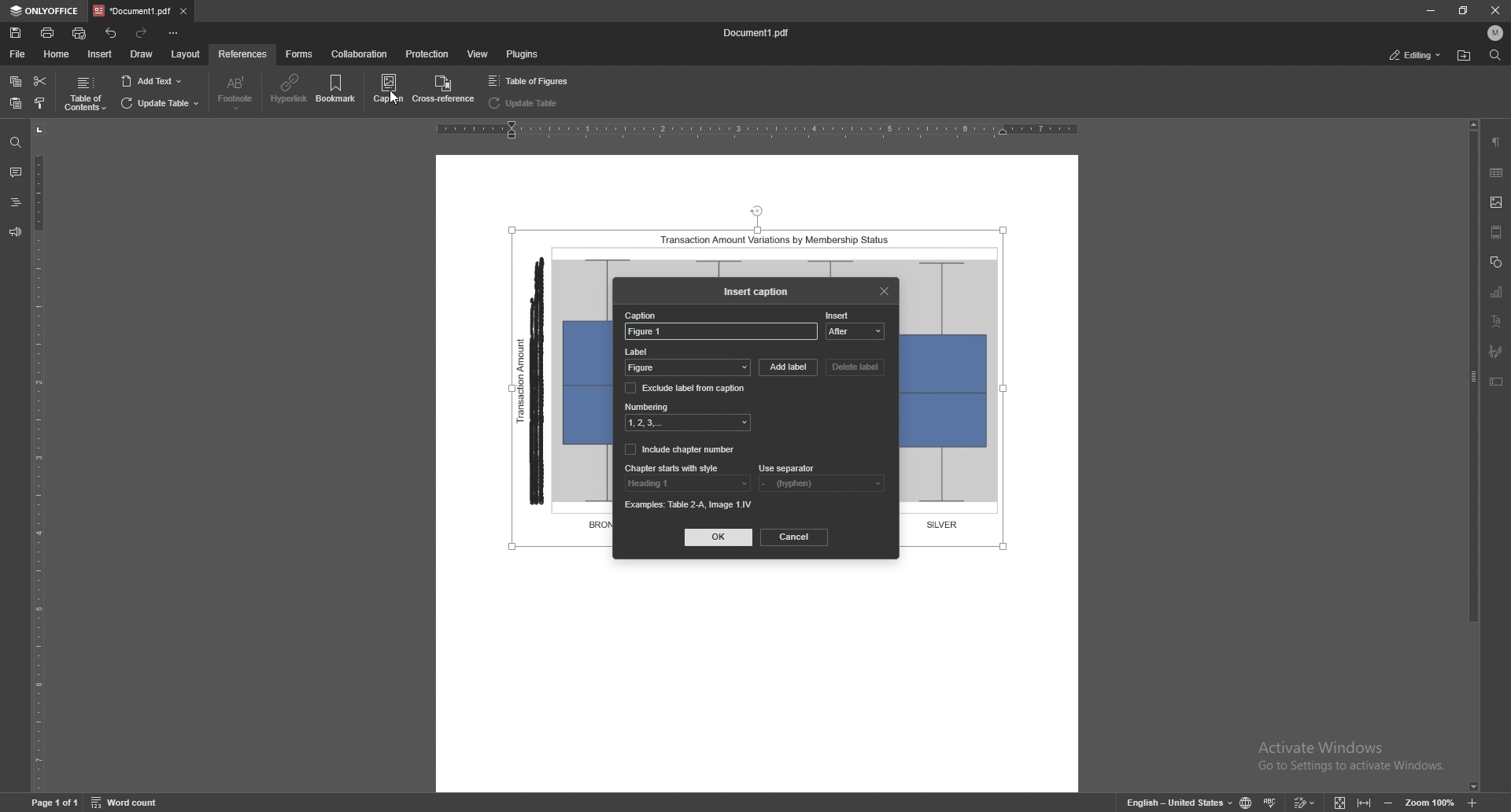  What do you see at coordinates (360, 54) in the screenshot?
I see `collaboration` at bounding box center [360, 54].